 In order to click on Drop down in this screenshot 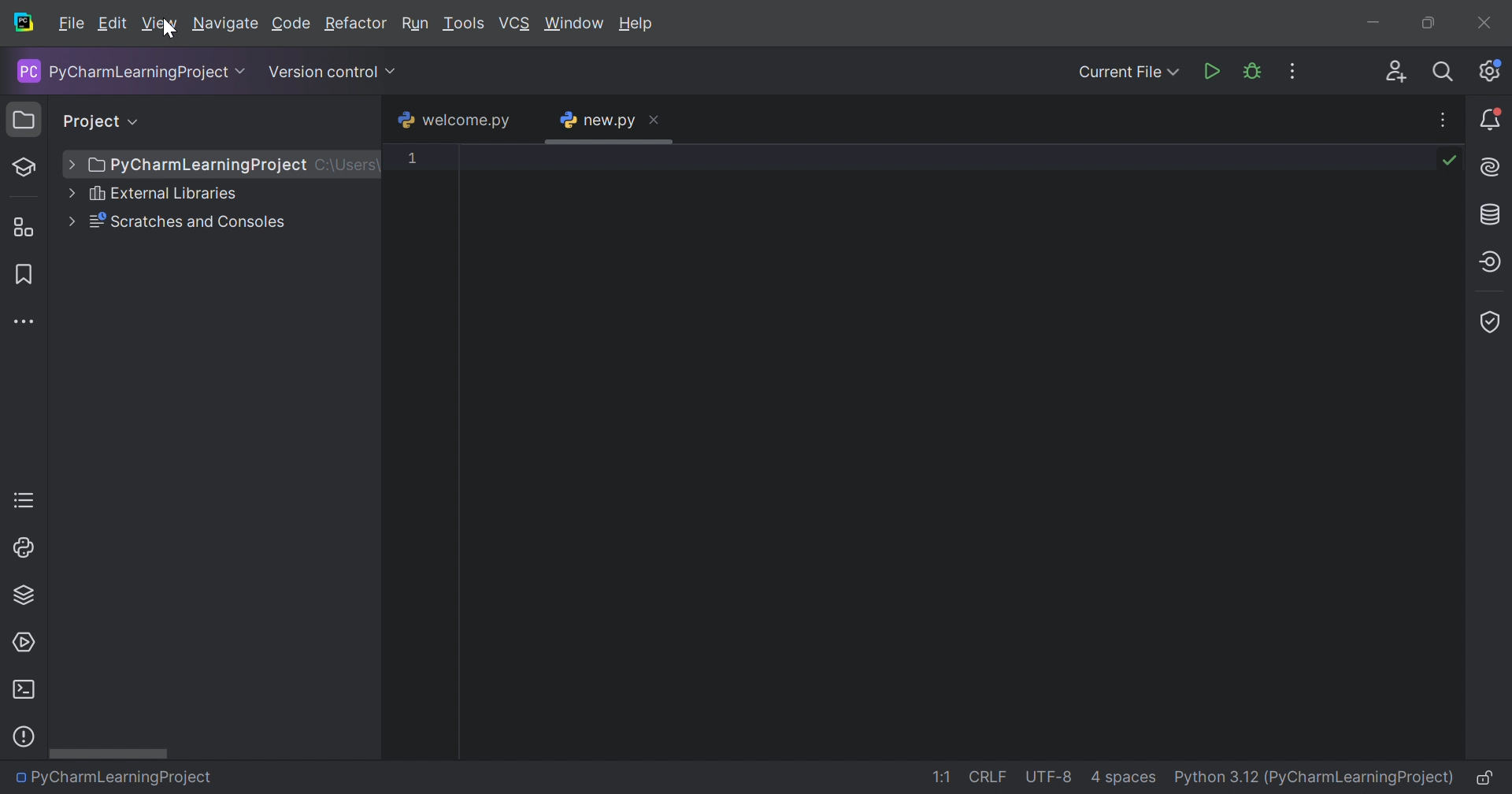, I will do `click(69, 220)`.